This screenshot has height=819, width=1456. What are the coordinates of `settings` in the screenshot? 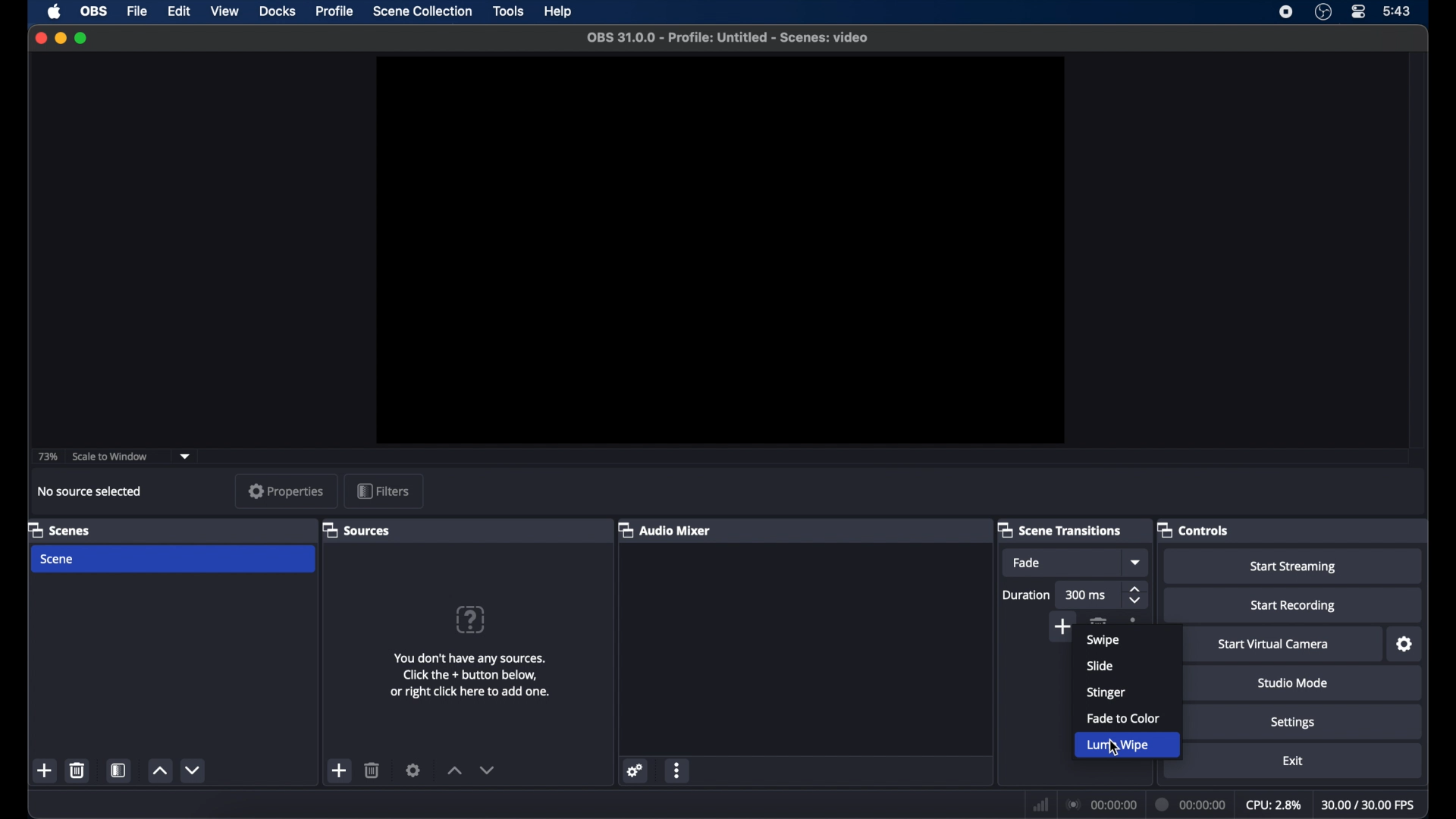 It's located at (413, 770).